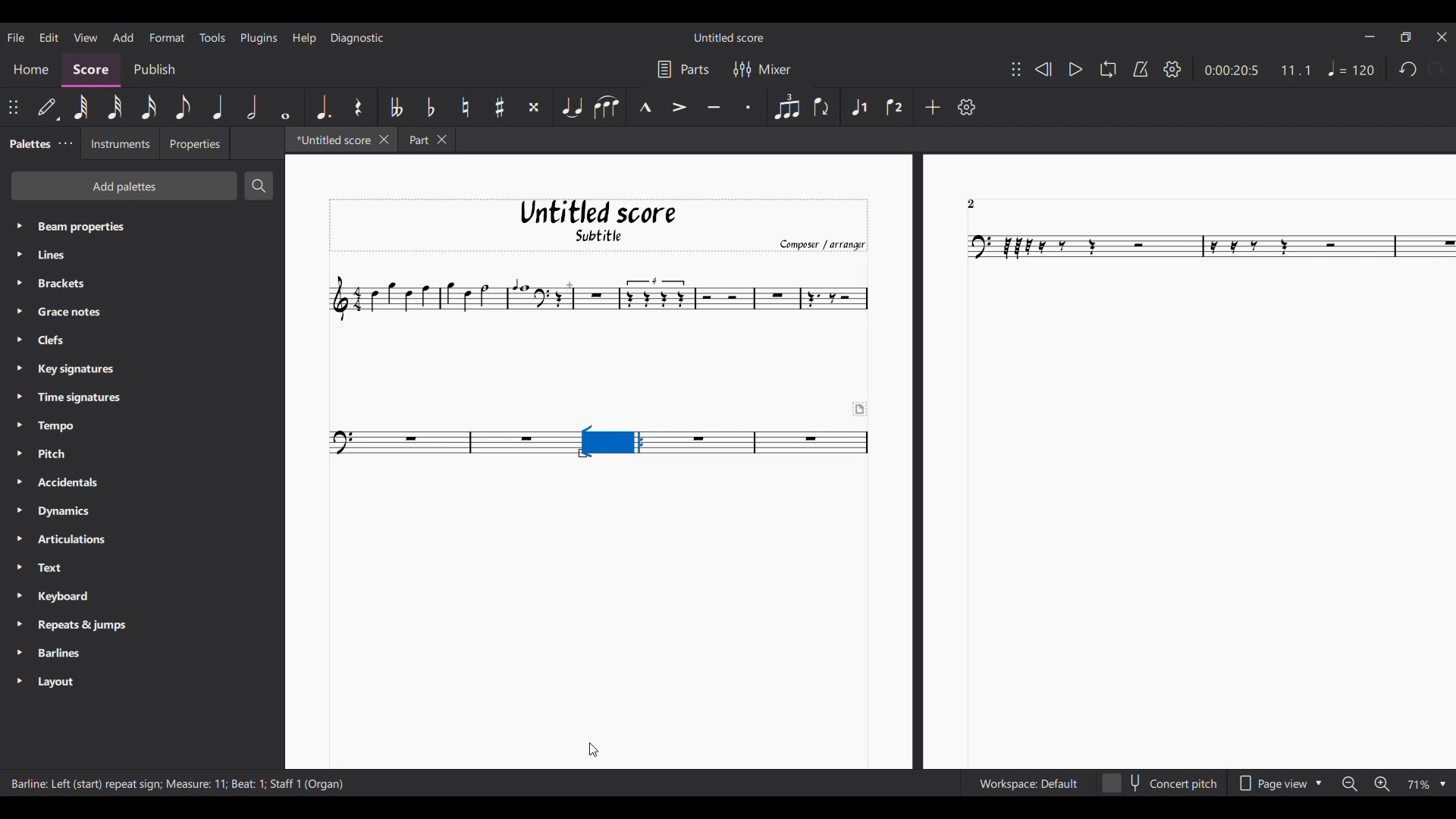 This screenshot has width=1456, height=819. I want to click on Mixer settings, so click(764, 70).